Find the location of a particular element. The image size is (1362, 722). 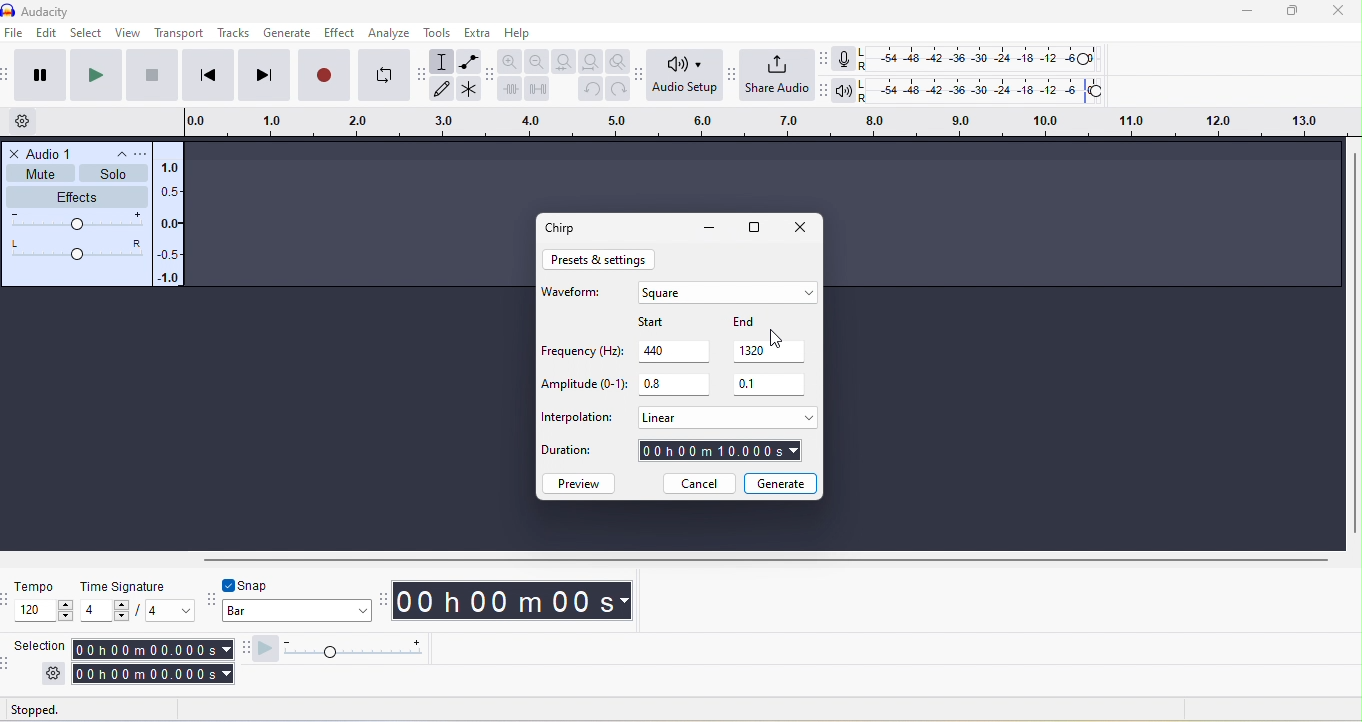

audacity selection toolbar is located at coordinates (9, 662).